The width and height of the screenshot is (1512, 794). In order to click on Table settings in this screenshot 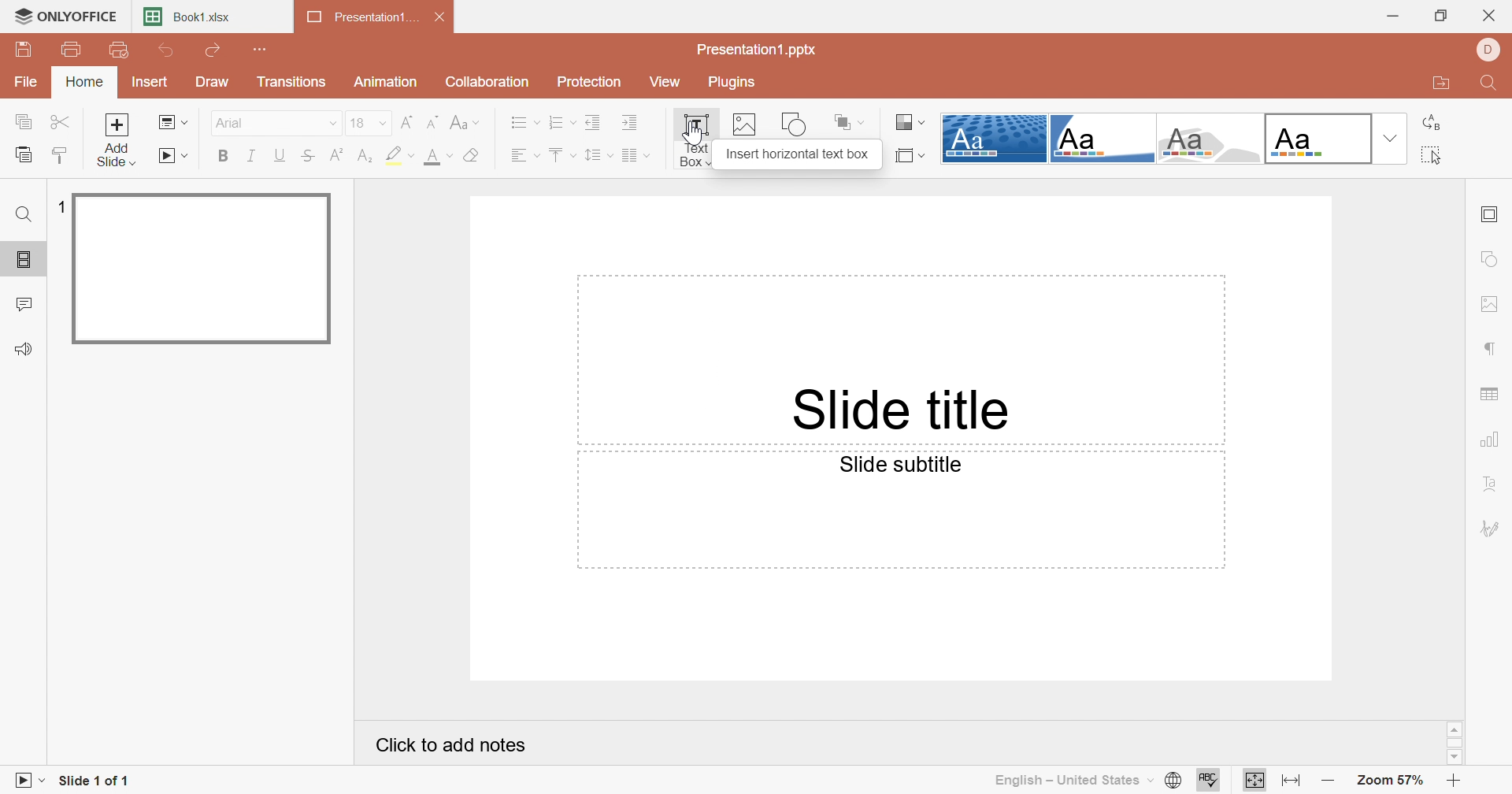, I will do `click(1492, 395)`.